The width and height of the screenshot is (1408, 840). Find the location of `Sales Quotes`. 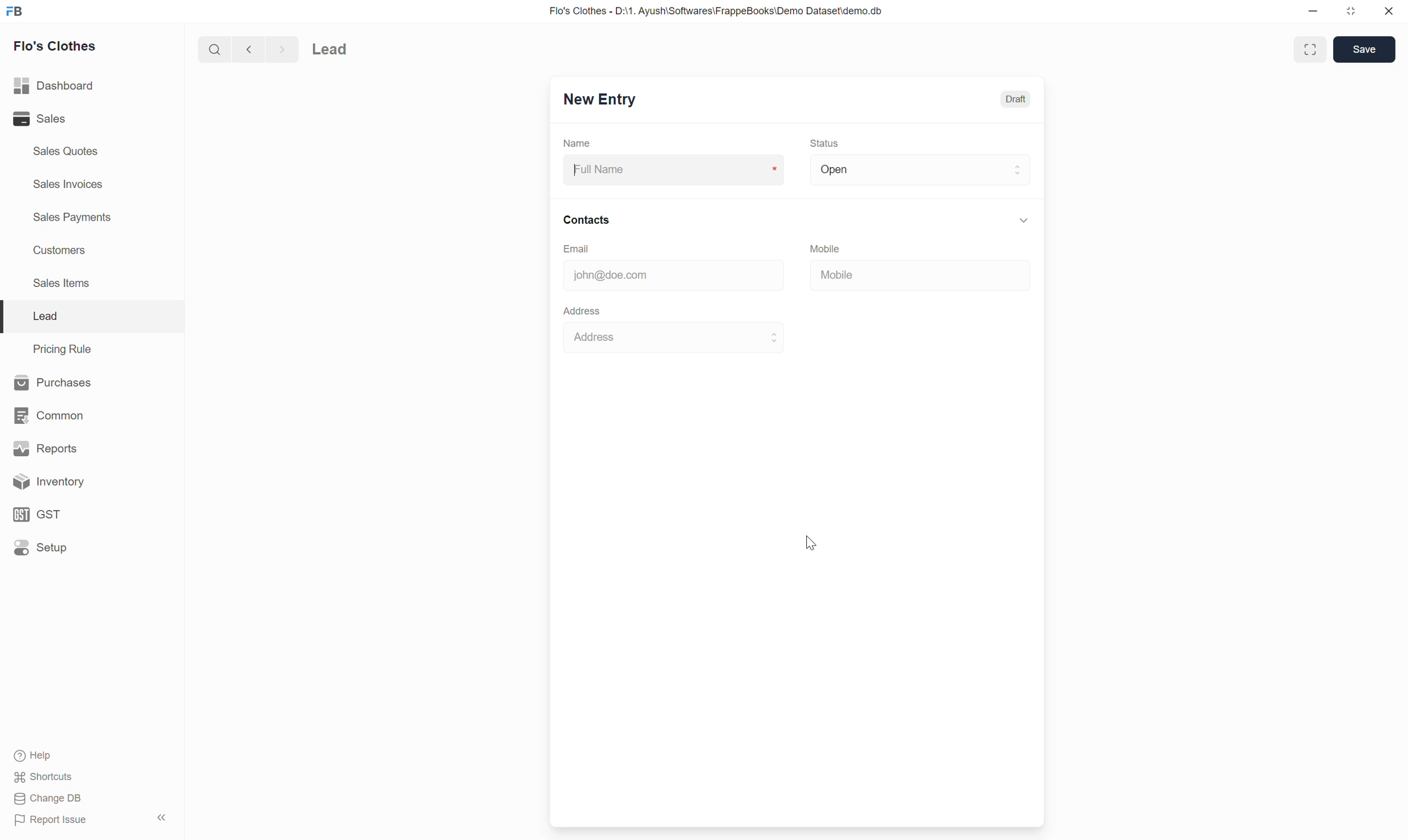

Sales Quotes is located at coordinates (68, 153).